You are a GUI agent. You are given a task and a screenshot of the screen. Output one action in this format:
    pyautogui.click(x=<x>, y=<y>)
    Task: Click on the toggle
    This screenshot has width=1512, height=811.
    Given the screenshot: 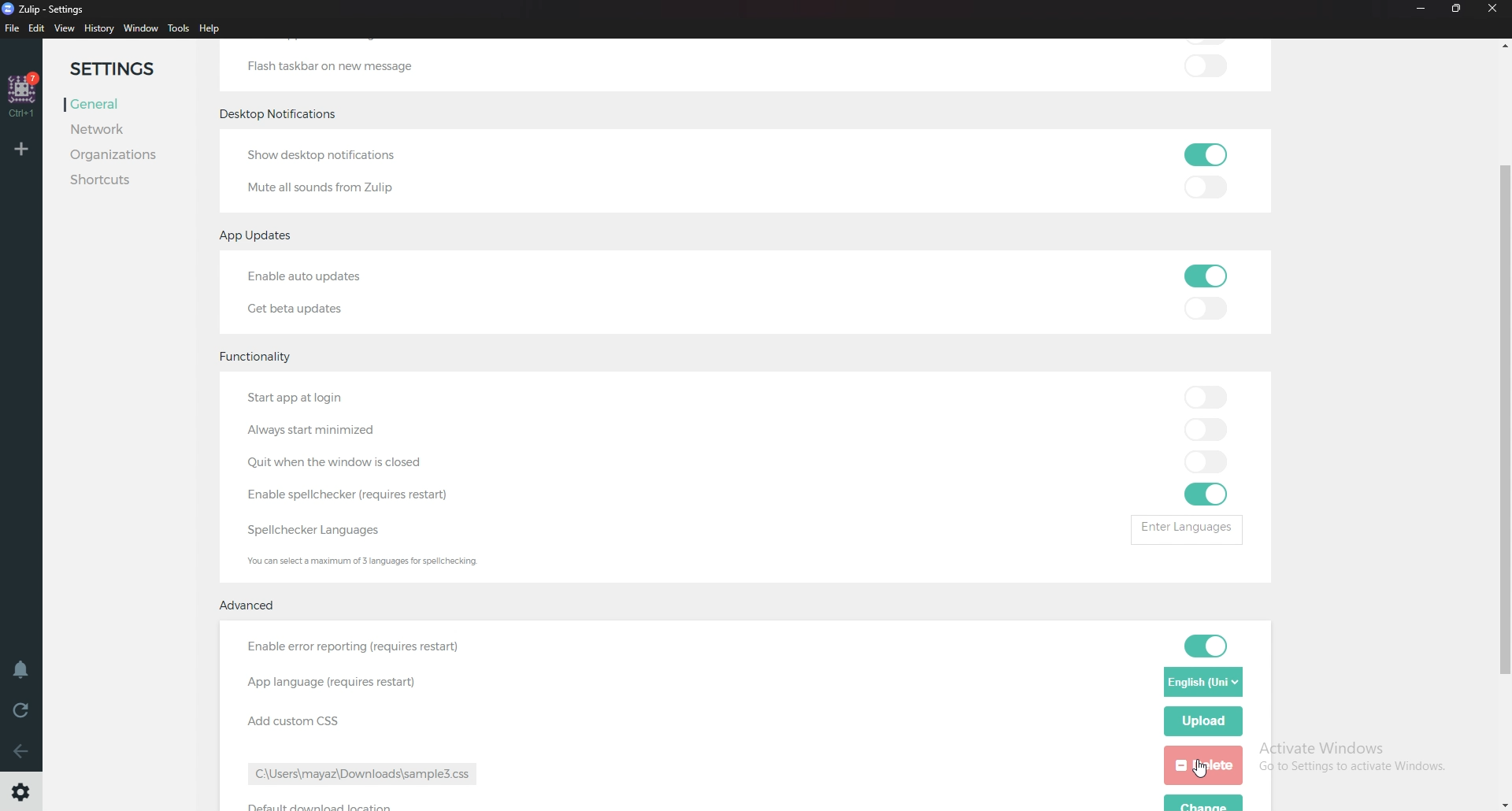 What is the action you would take?
    pyautogui.click(x=1211, y=646)
    